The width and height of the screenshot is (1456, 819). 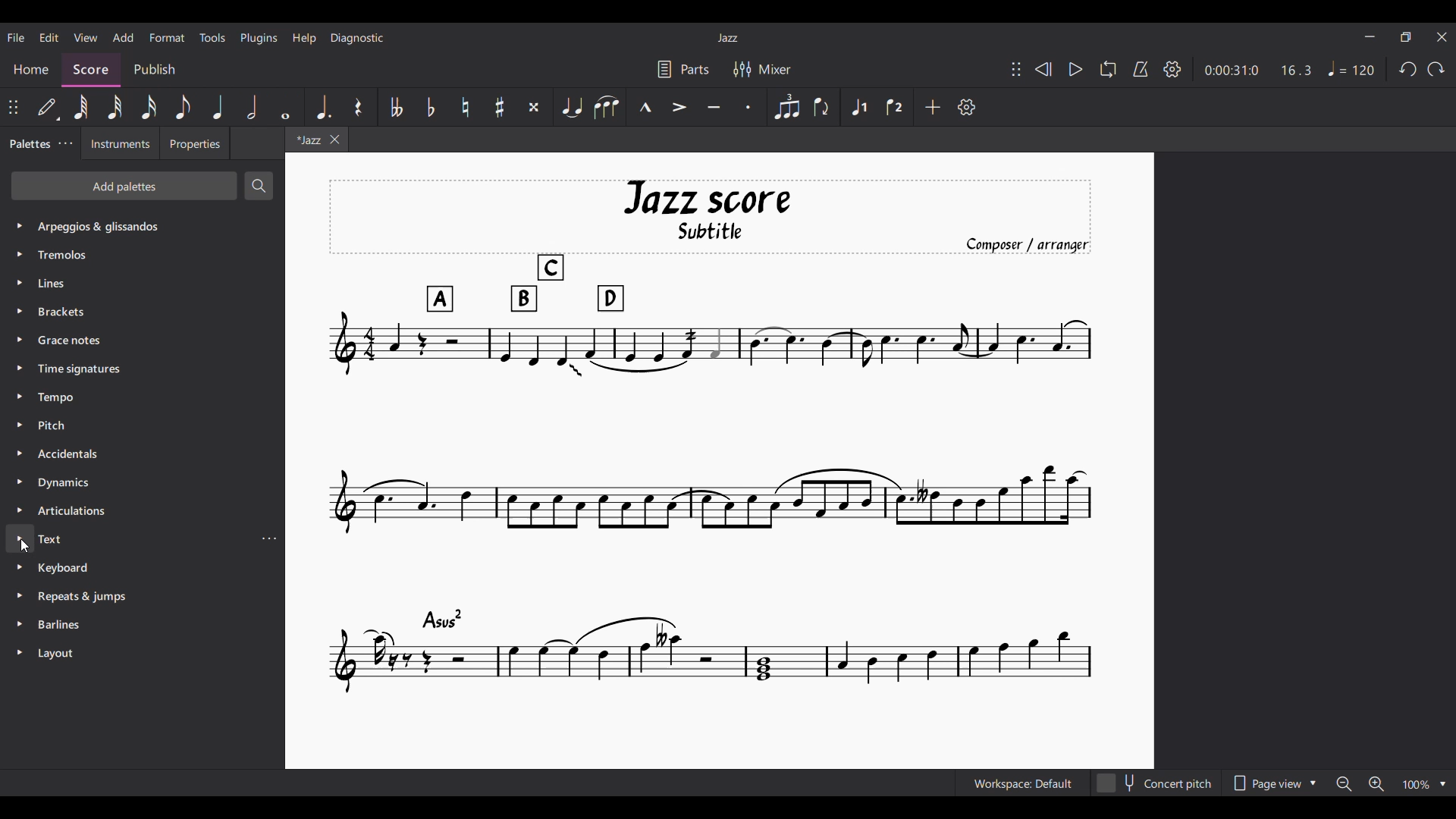 I want to click on Current workspace setting, so click(x=1023, y=783).